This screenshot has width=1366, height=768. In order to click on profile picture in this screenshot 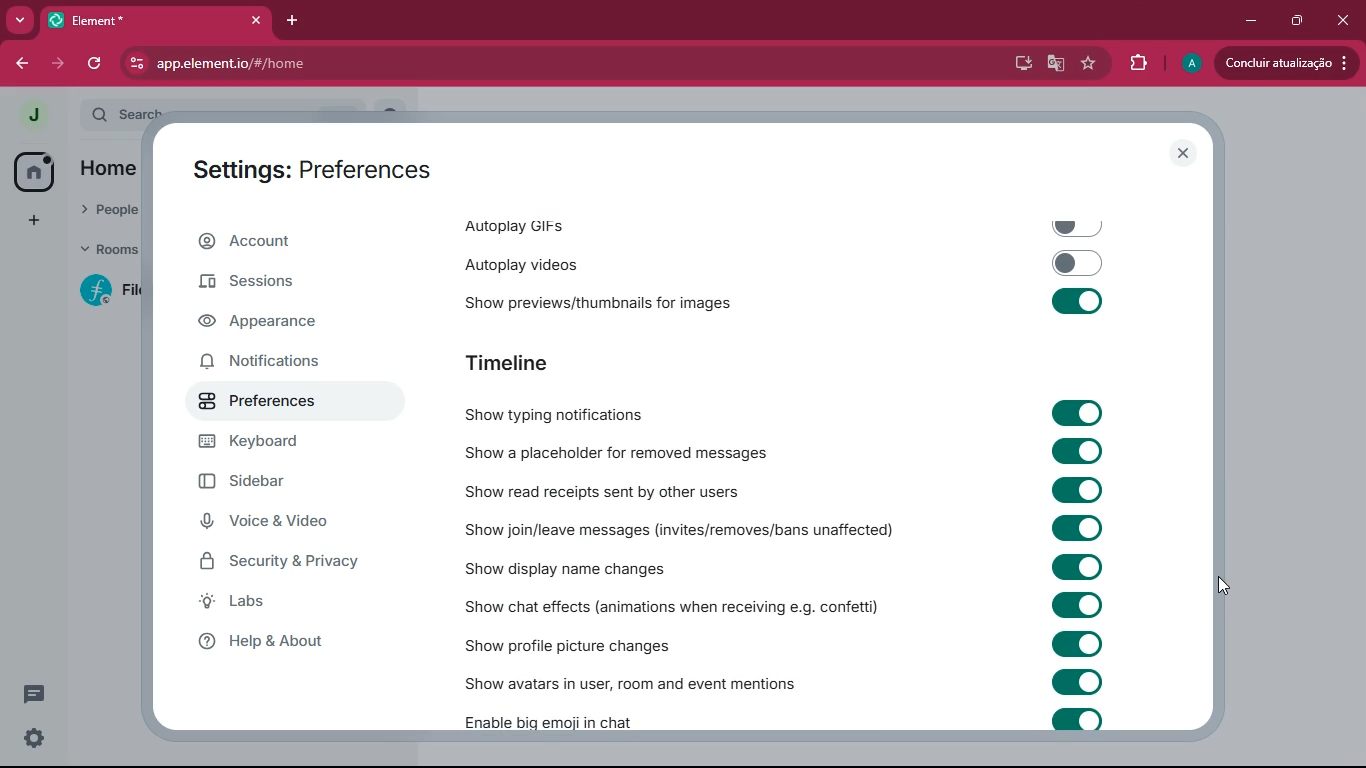, I will do `click(1190, 64)`.